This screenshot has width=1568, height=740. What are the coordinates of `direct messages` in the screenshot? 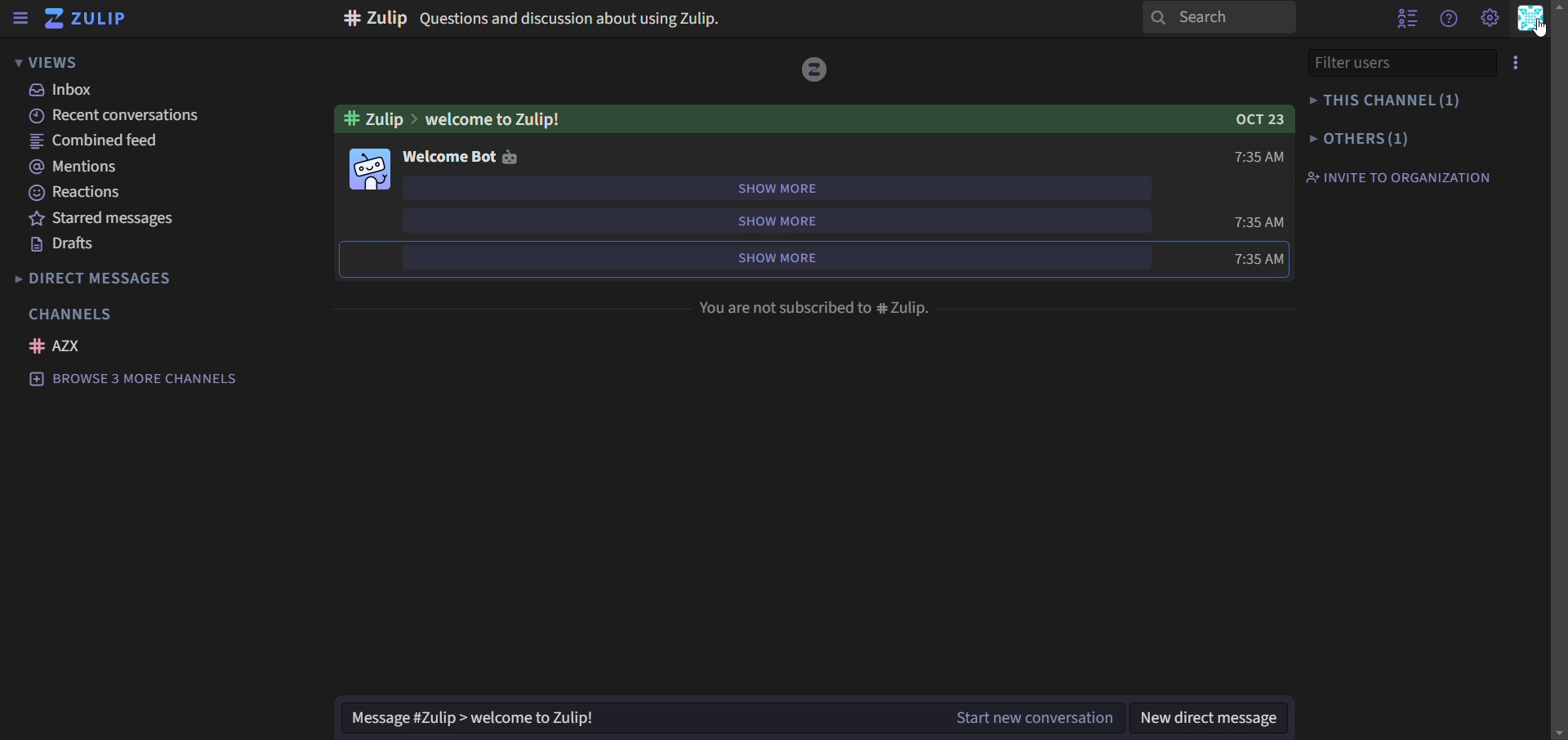 It's located at (109, 278).